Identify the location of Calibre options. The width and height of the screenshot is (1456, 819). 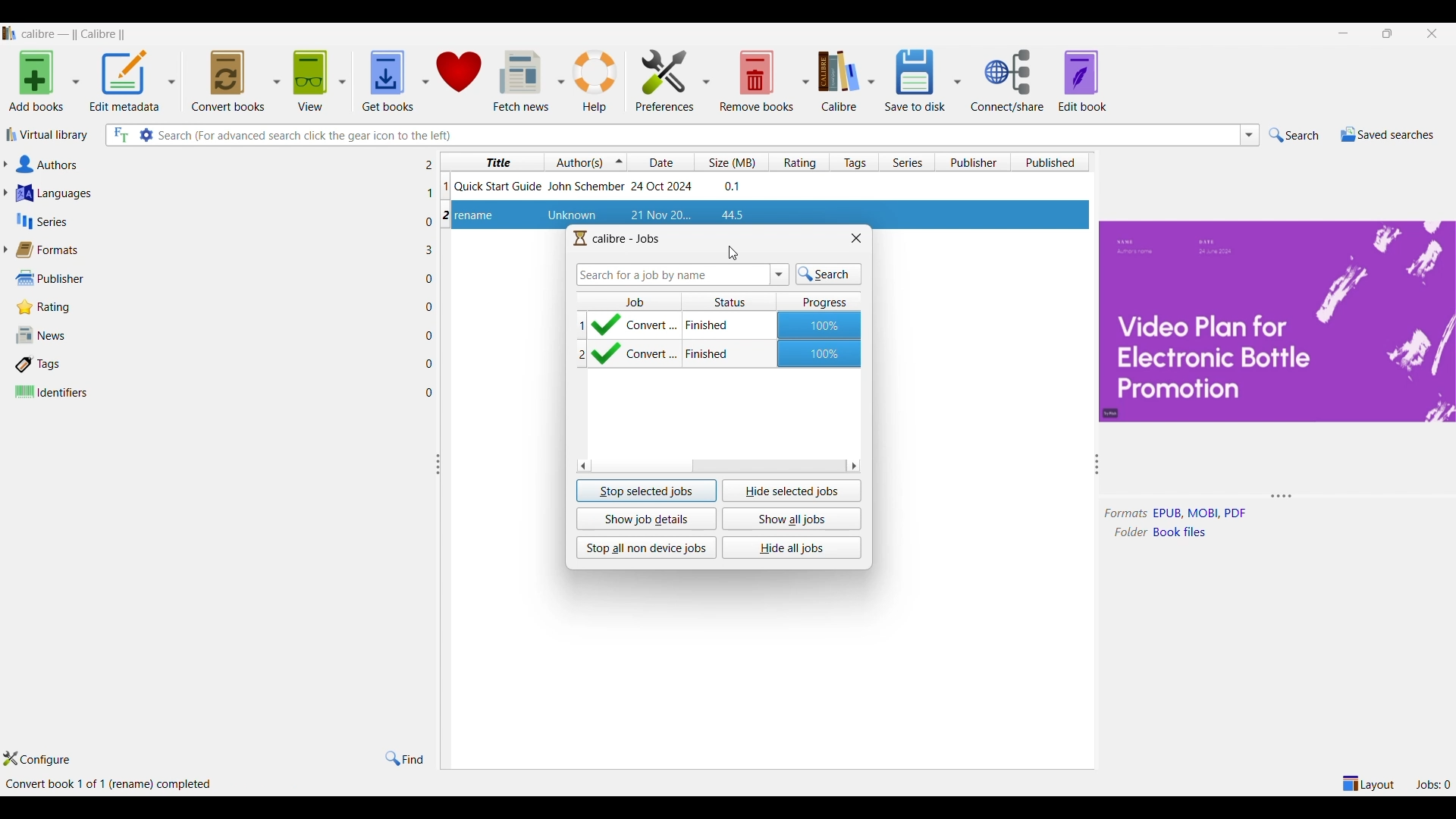
(871, 81).